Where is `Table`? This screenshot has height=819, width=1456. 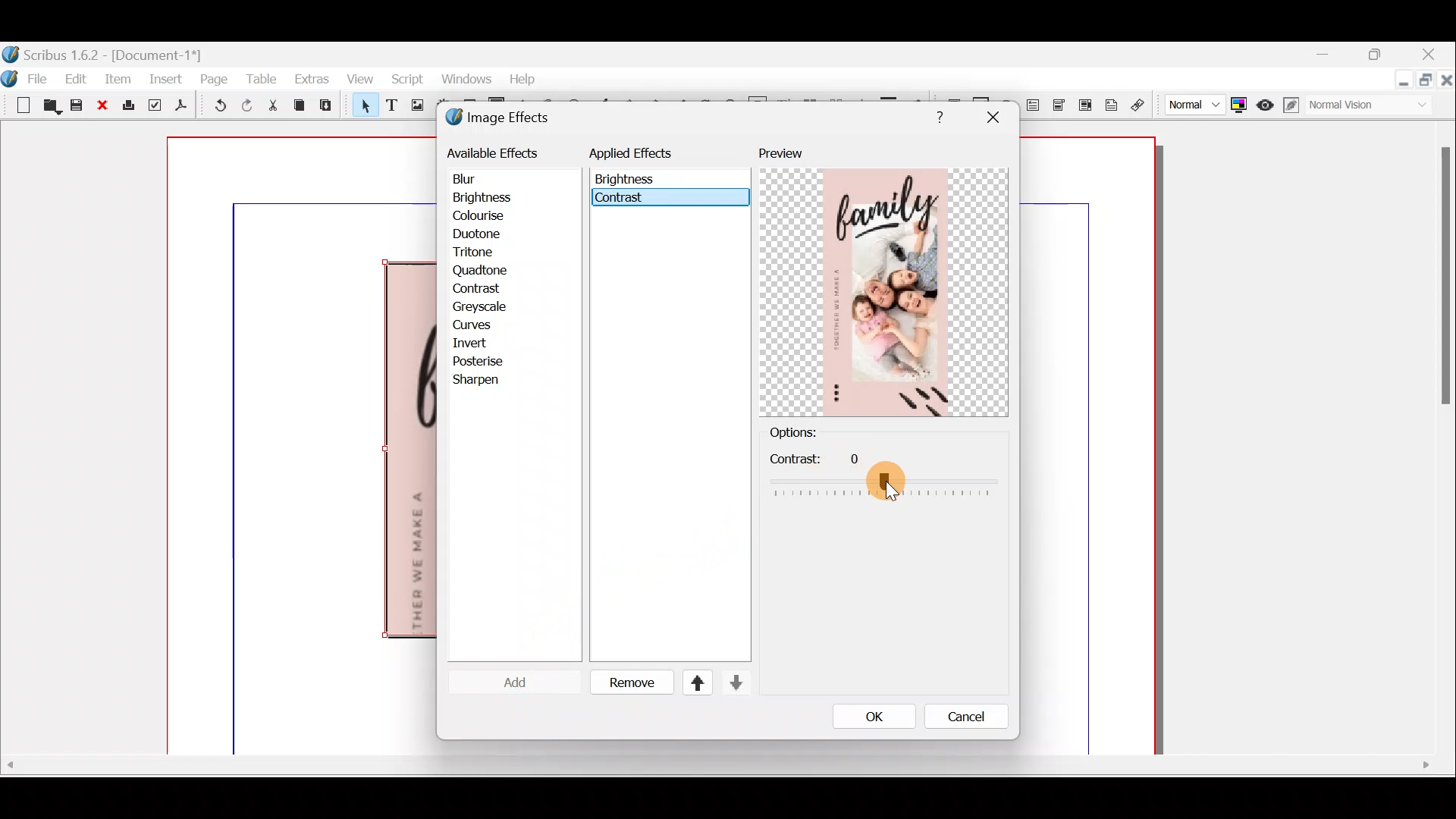 Table is located at coordinates (261, 78).